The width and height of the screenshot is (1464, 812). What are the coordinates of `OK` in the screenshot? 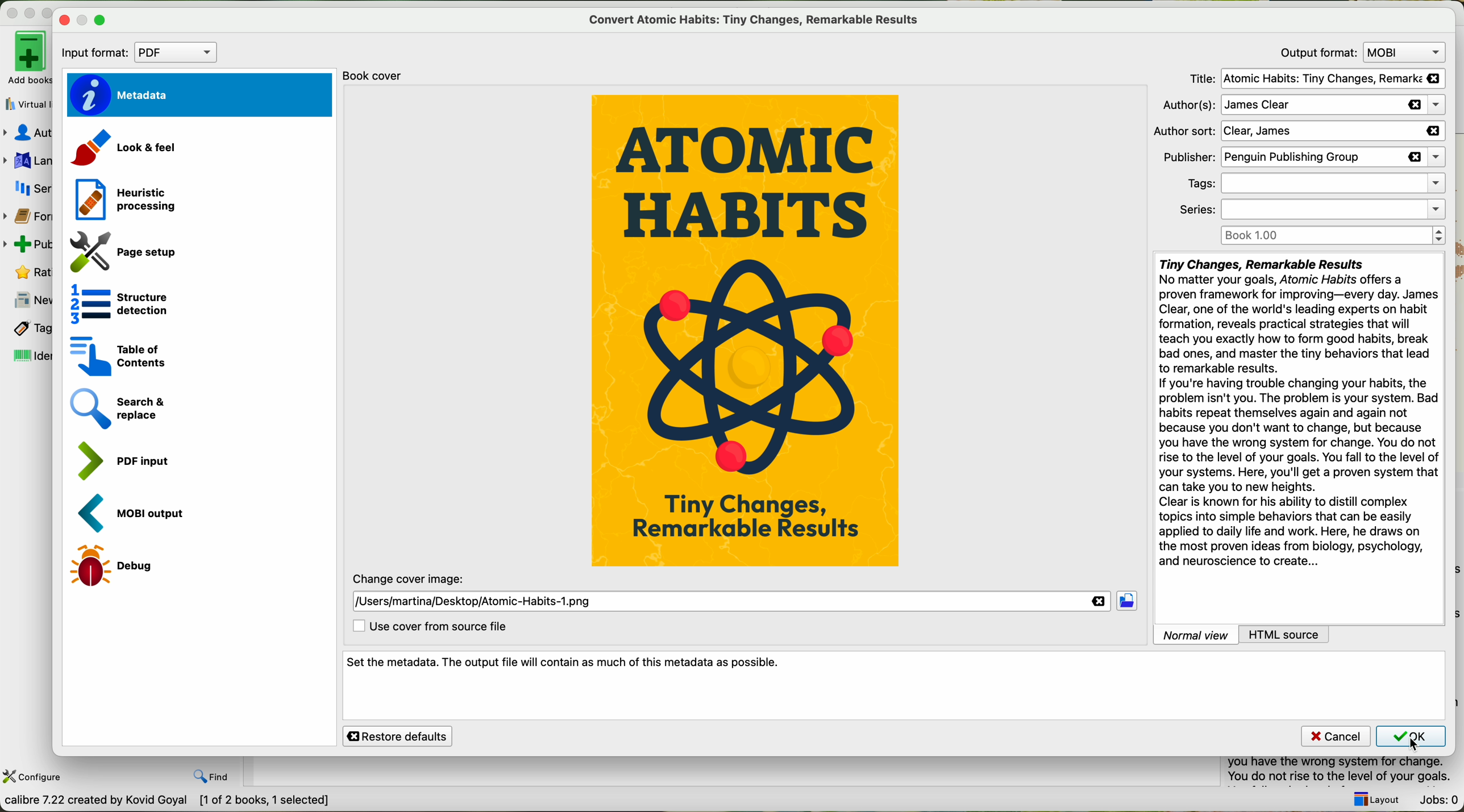 It's located at (1412, 739).